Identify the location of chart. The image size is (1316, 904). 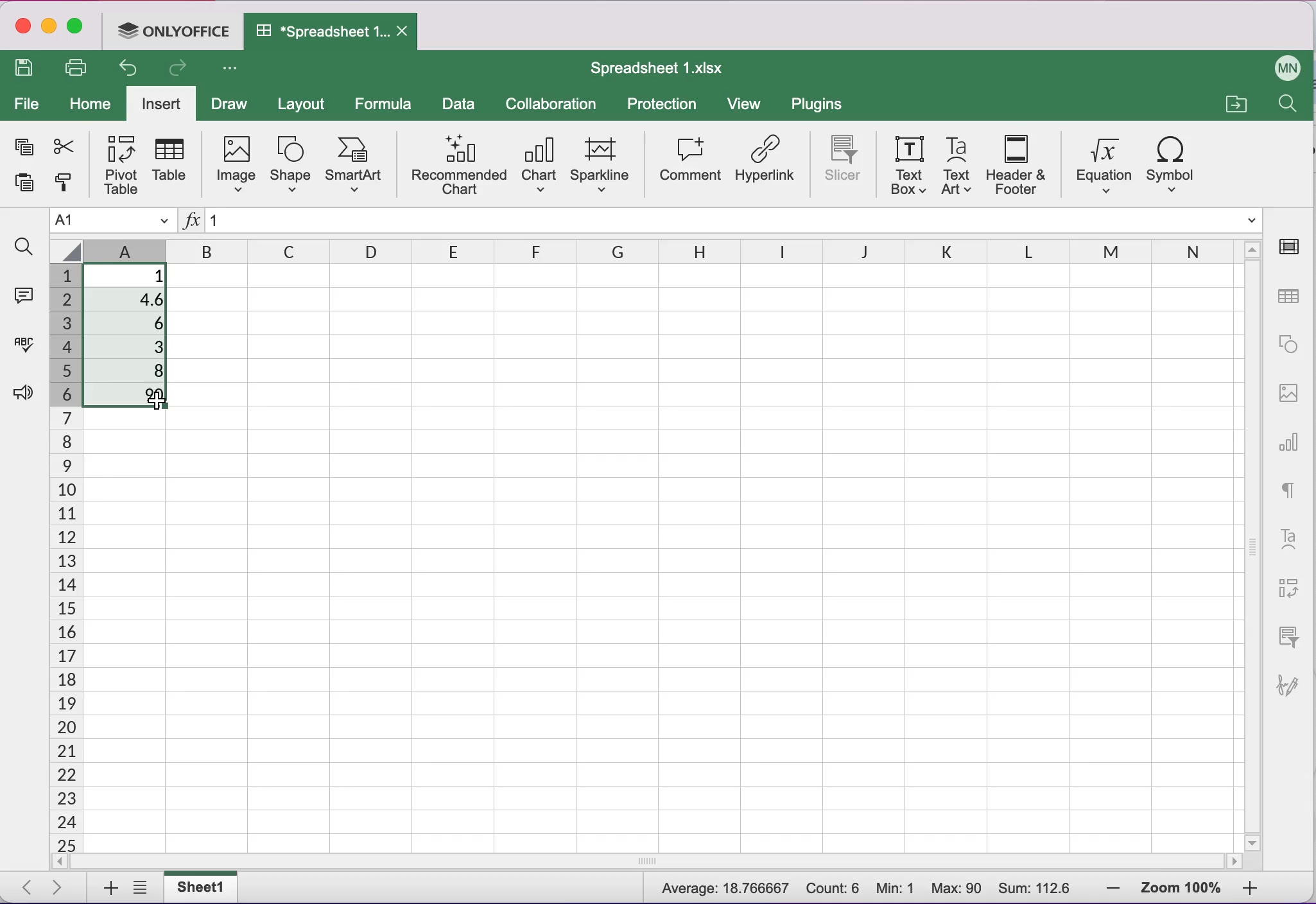
(539, 167).